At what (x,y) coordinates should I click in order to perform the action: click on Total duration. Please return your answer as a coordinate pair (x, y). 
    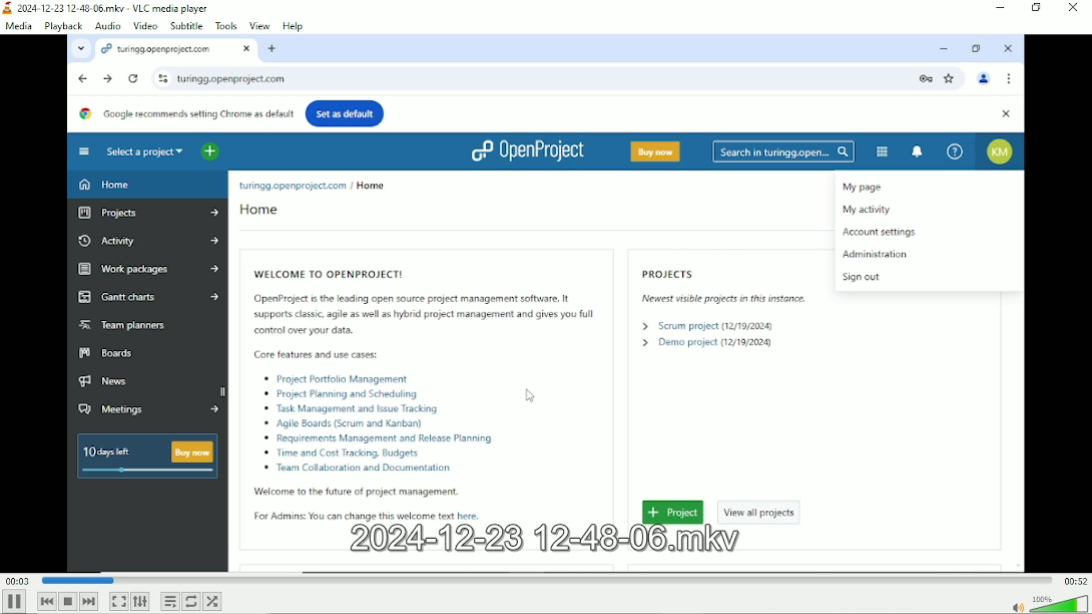
    Looking at the image, I should click on (1075, 581).